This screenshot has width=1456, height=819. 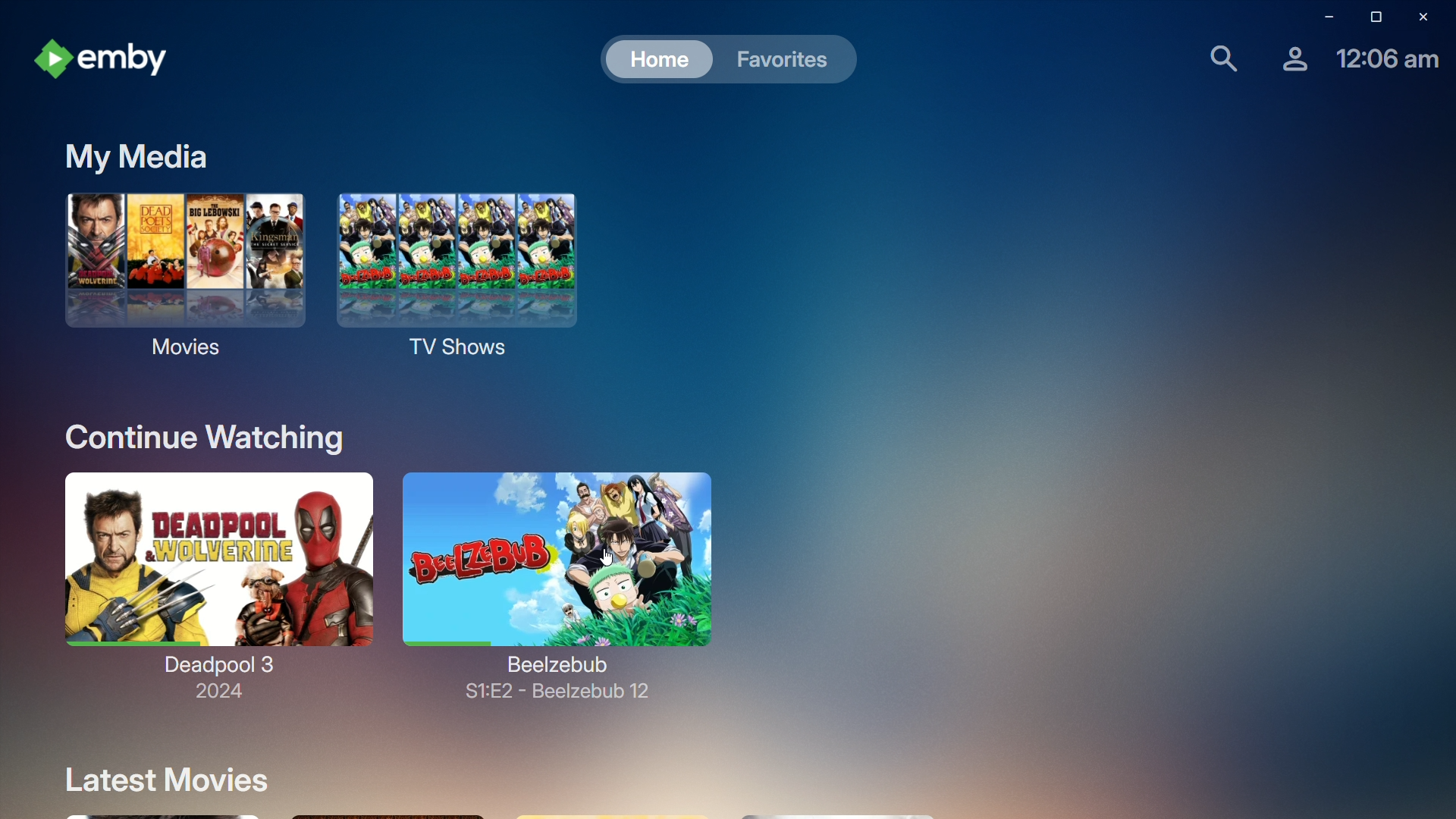 I want to click on emby, so click(x=107, y=58).